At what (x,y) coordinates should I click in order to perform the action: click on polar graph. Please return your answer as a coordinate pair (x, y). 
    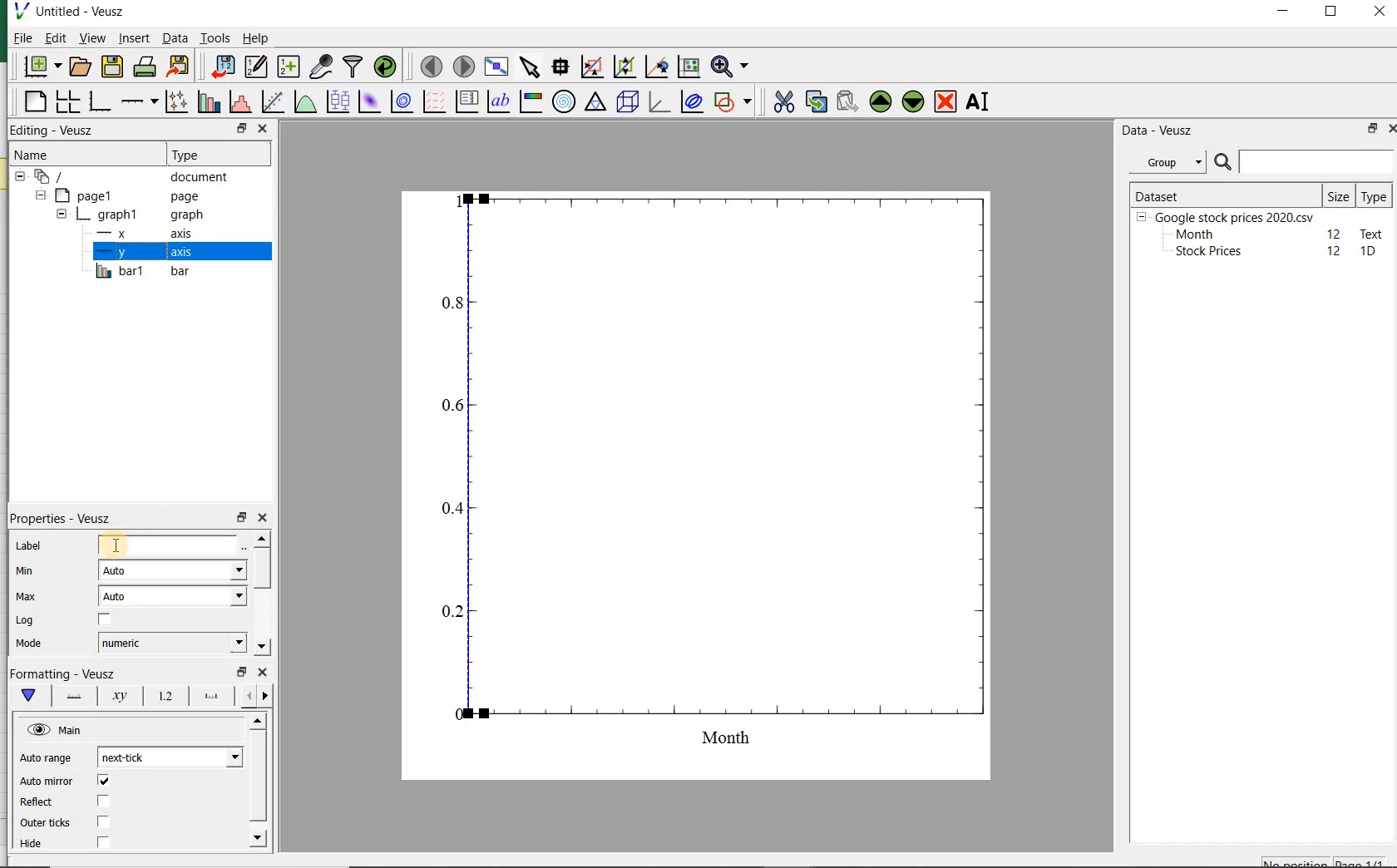
    Looking at the image, I should click on (563, 101).